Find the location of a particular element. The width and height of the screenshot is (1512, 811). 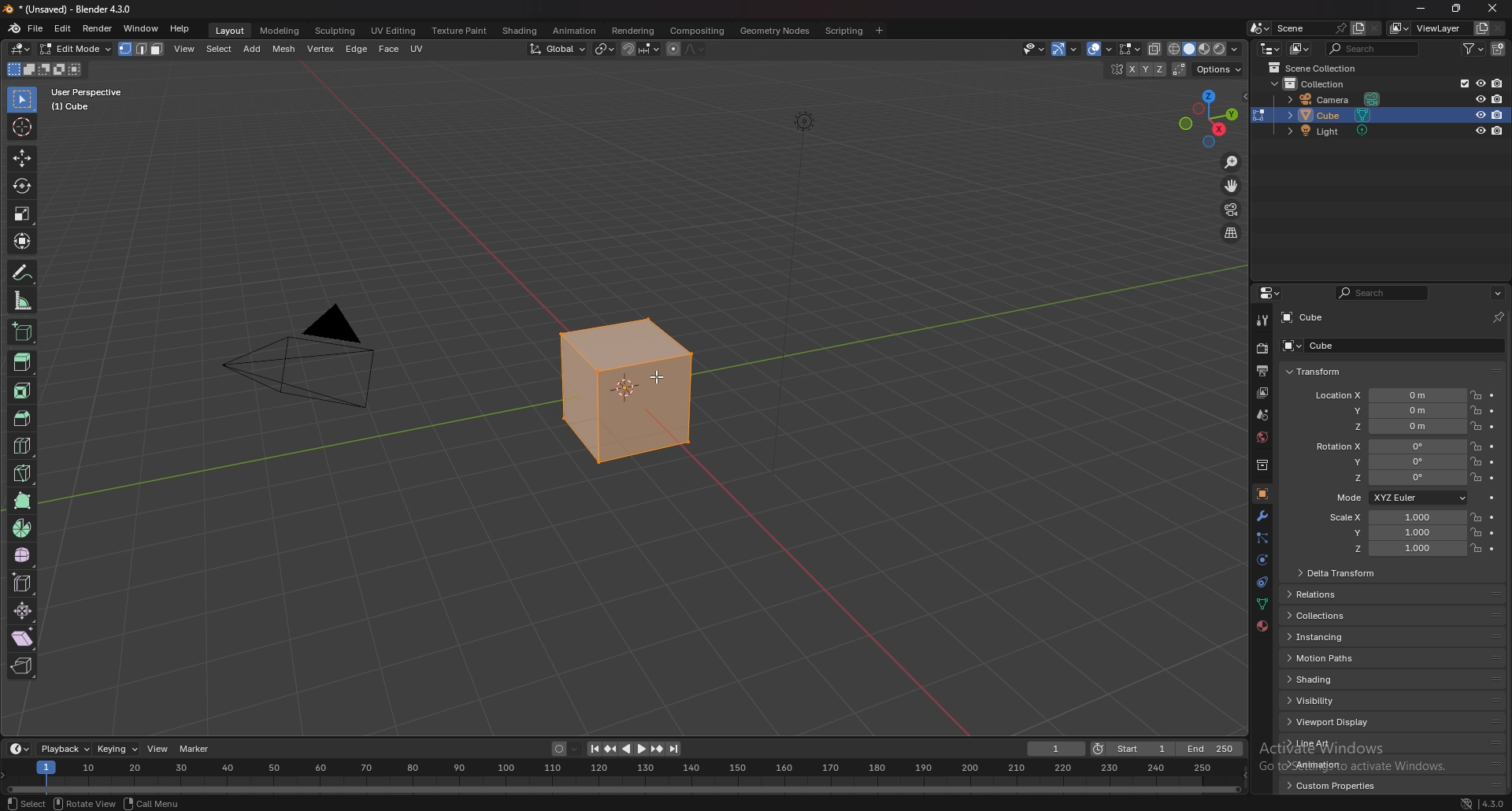

options is located at coordinates (1497, 292).